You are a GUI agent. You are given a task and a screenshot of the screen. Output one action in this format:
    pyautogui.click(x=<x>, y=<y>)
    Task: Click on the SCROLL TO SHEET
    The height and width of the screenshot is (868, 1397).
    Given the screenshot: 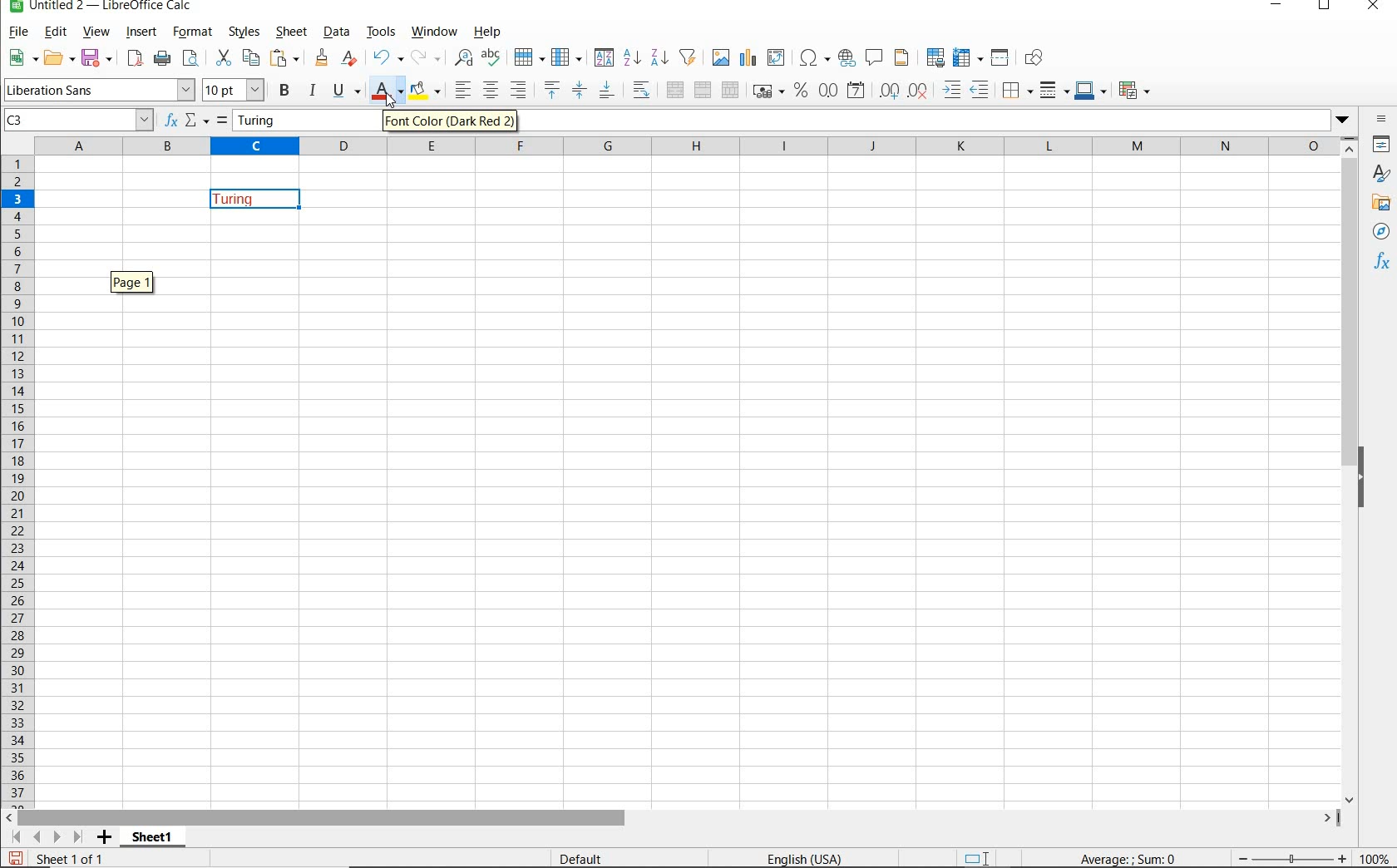 What is the action you would take?
    pyautogui.click(x=44, y=837)
    